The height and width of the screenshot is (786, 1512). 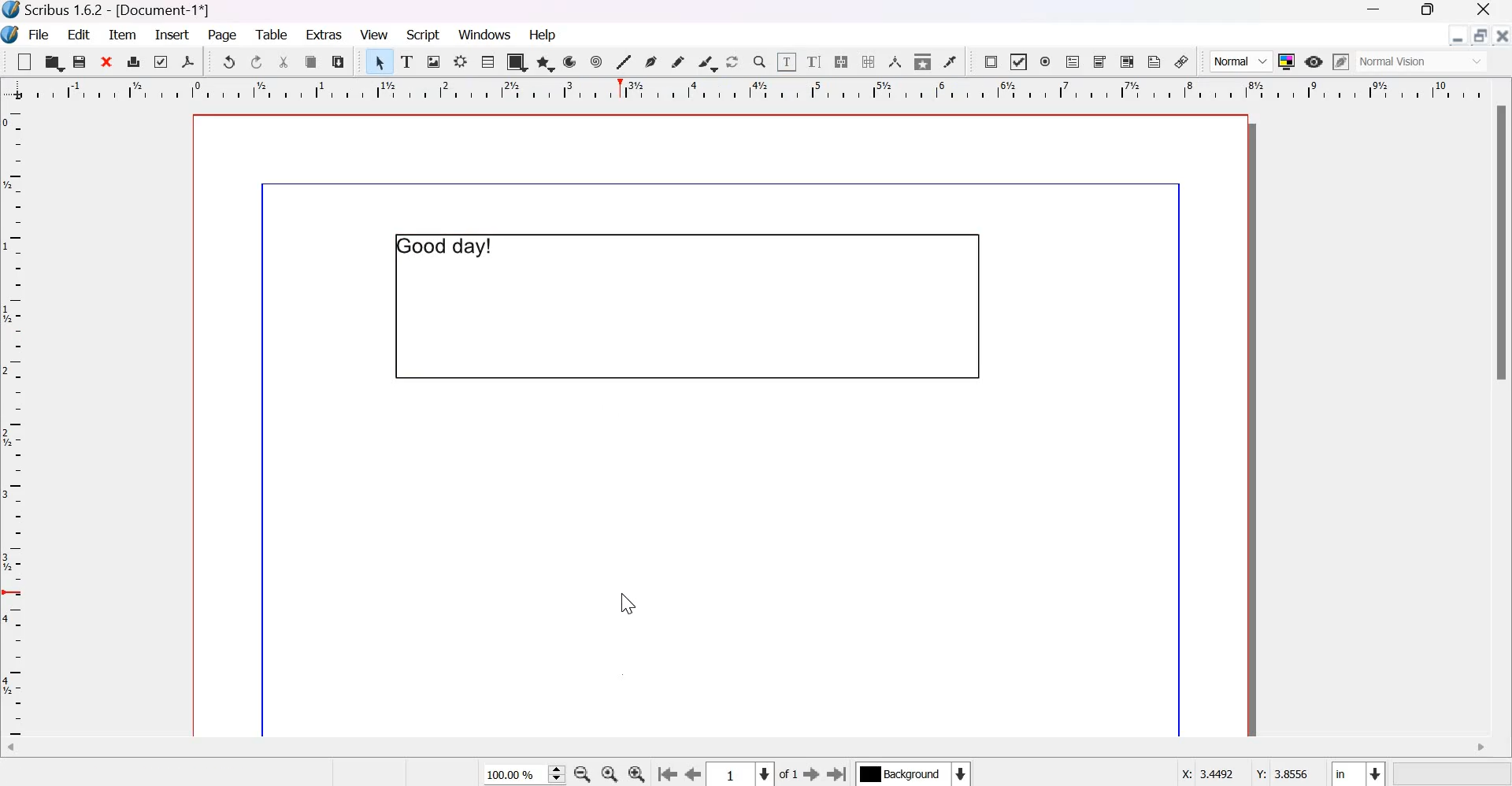 I want to click on cut, so click(x=285, y=62).